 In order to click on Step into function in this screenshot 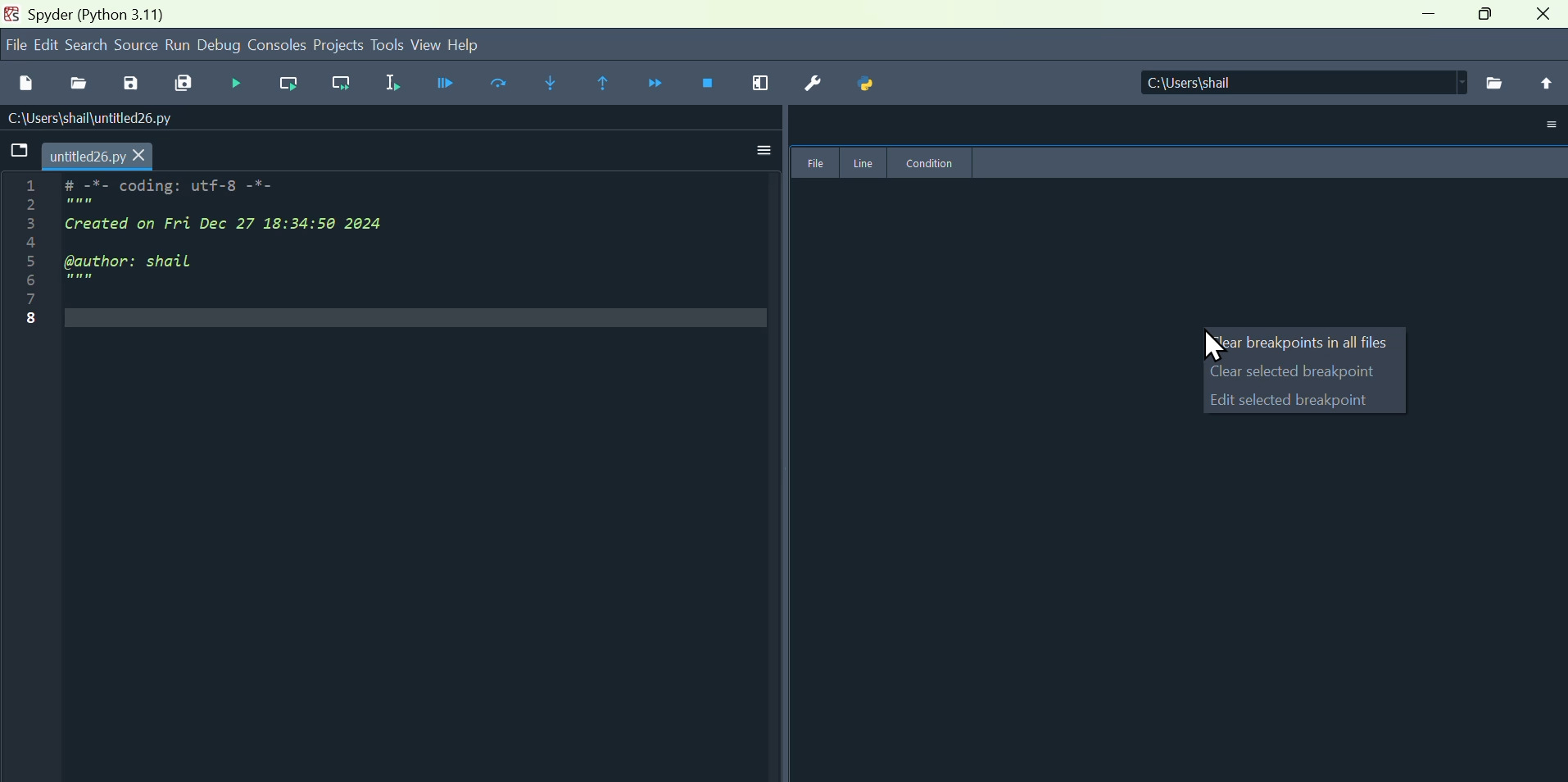, I will do `click(558, 84)`.